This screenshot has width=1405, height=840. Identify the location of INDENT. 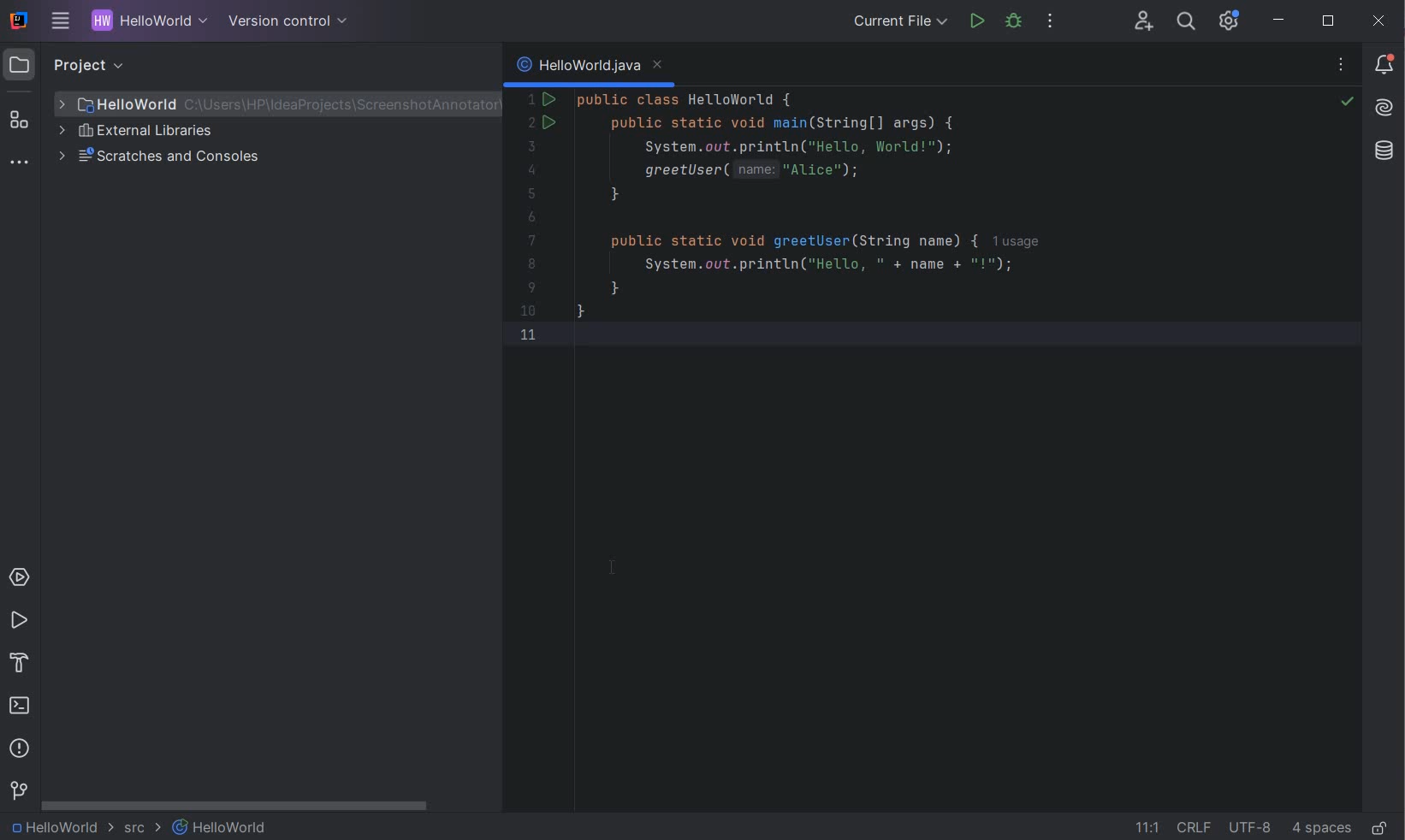
(1320, 827).